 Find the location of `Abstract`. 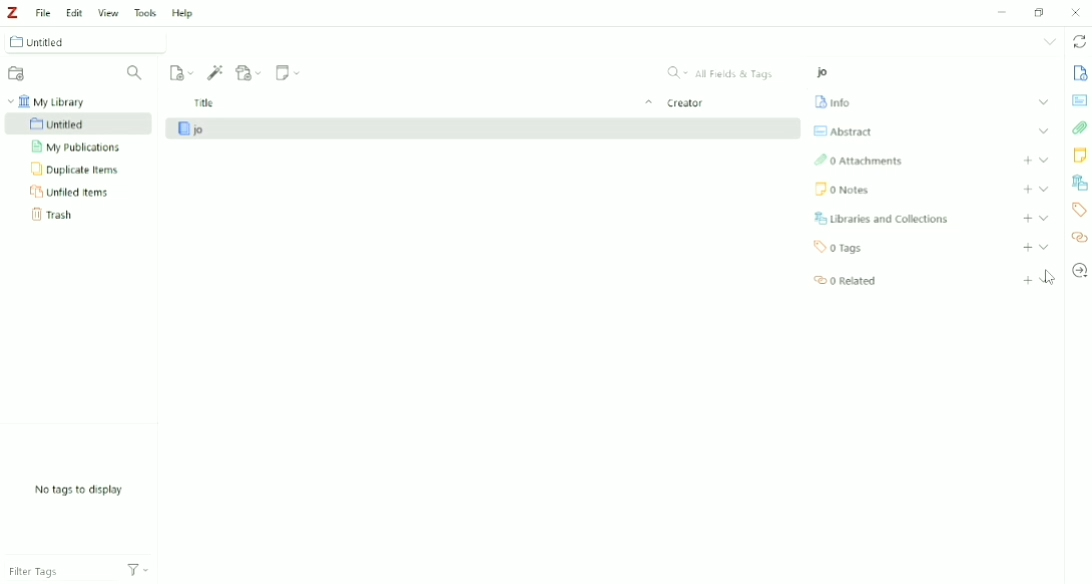

Abstract is located at coordinates (1079, 101).